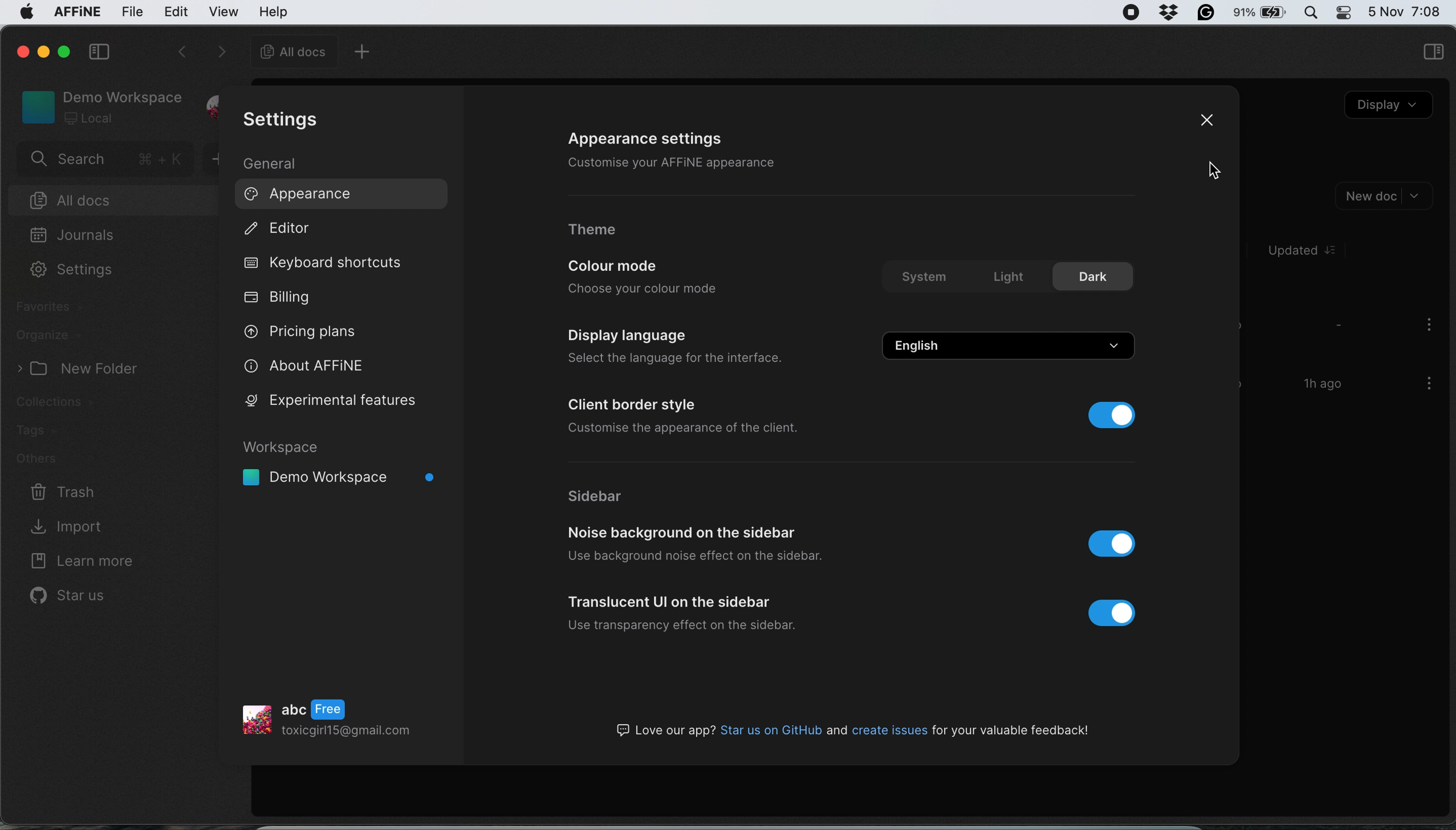  I want to click on 1h ago, so click(1320, 384).